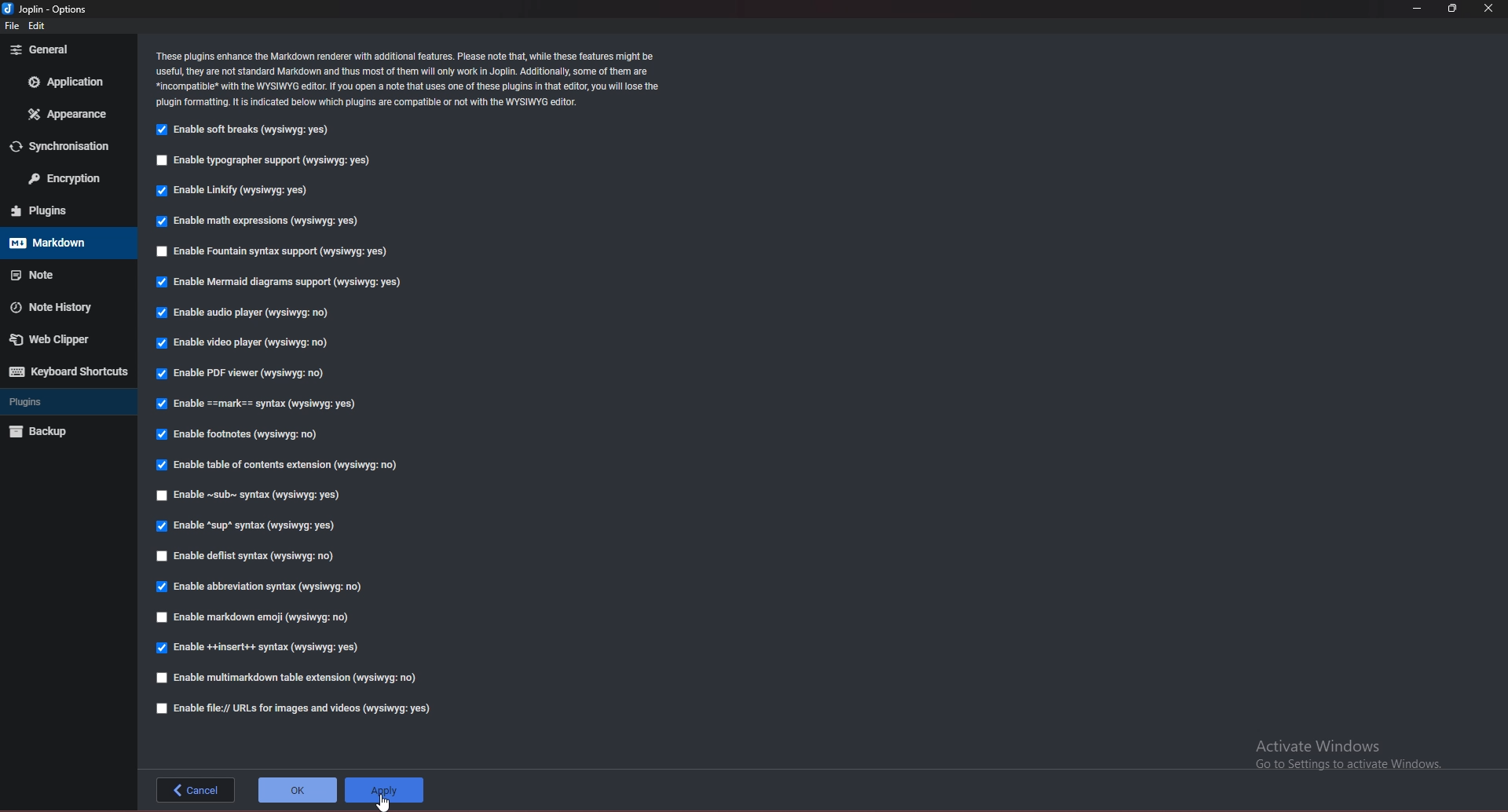 The image size is (1508, 812). I want to click on cursor, so click(386, 803).